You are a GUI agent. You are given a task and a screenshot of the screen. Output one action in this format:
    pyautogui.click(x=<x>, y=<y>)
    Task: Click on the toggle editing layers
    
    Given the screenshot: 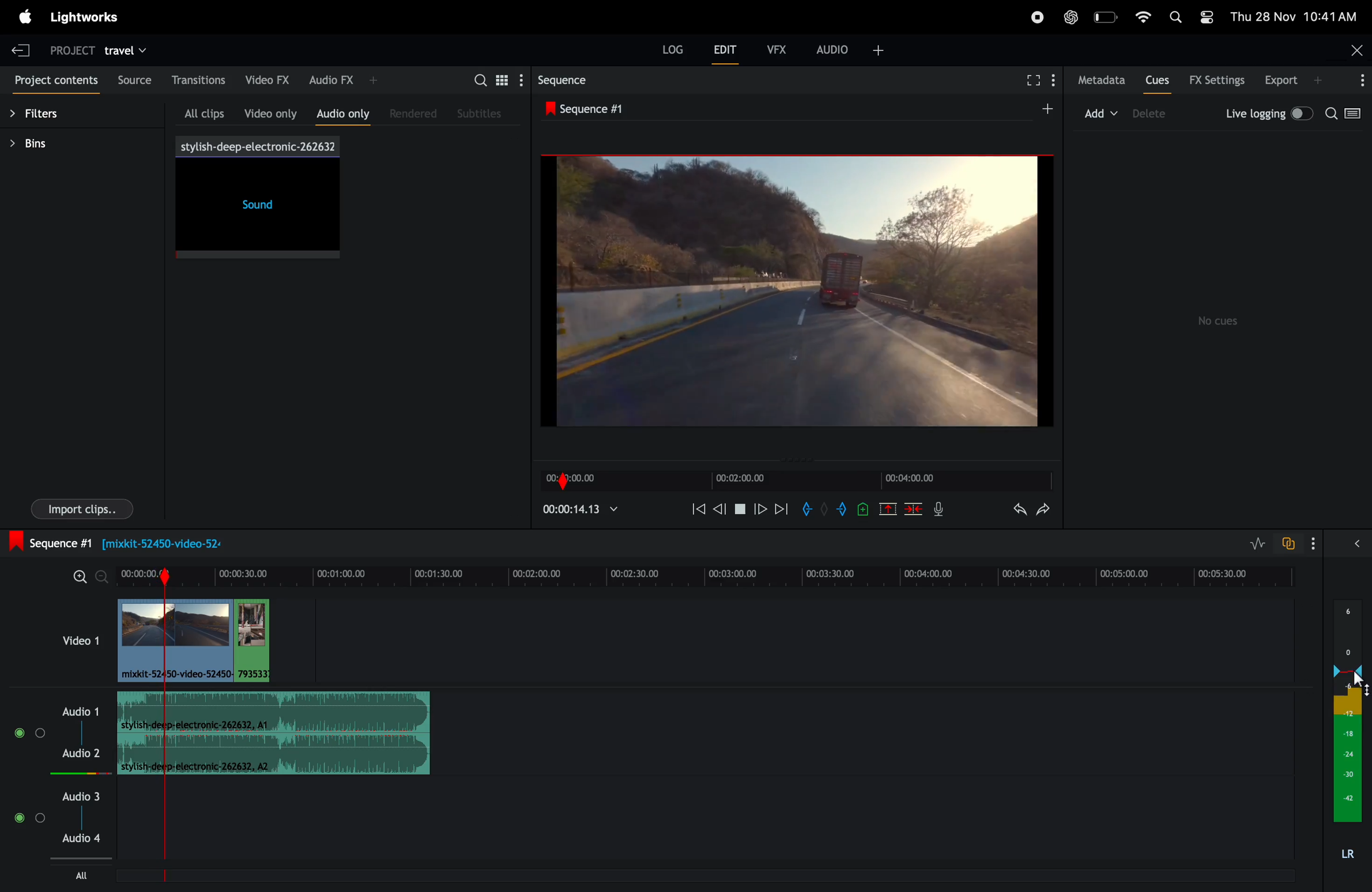 What is the action you would take?
    pyautogui.click(x=1257, y=543)
    